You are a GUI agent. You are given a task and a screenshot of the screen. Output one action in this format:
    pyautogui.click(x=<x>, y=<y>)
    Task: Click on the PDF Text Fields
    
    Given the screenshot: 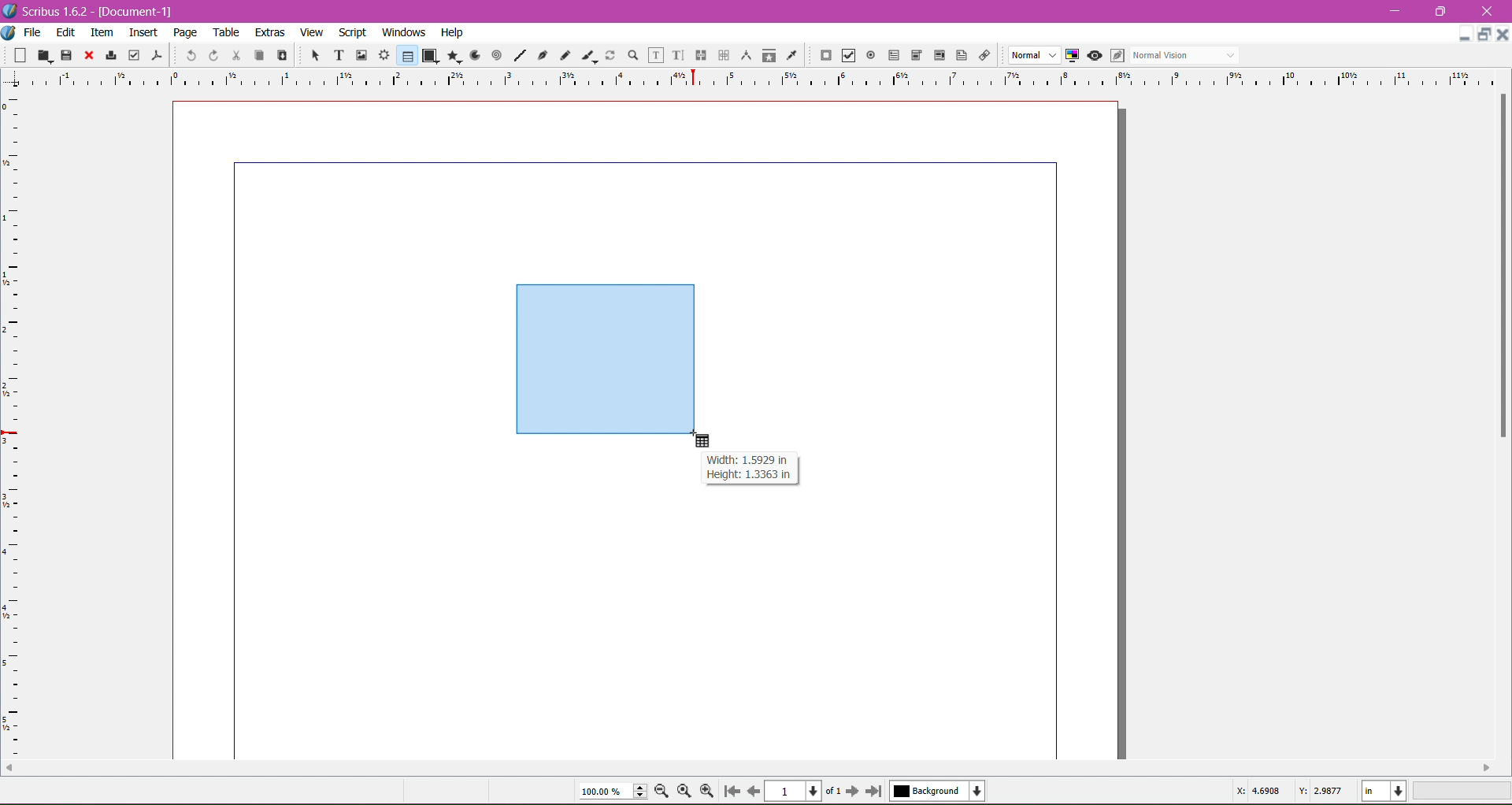 What is the action you would take?
    pyautogui.click(x=891, y=56)
    